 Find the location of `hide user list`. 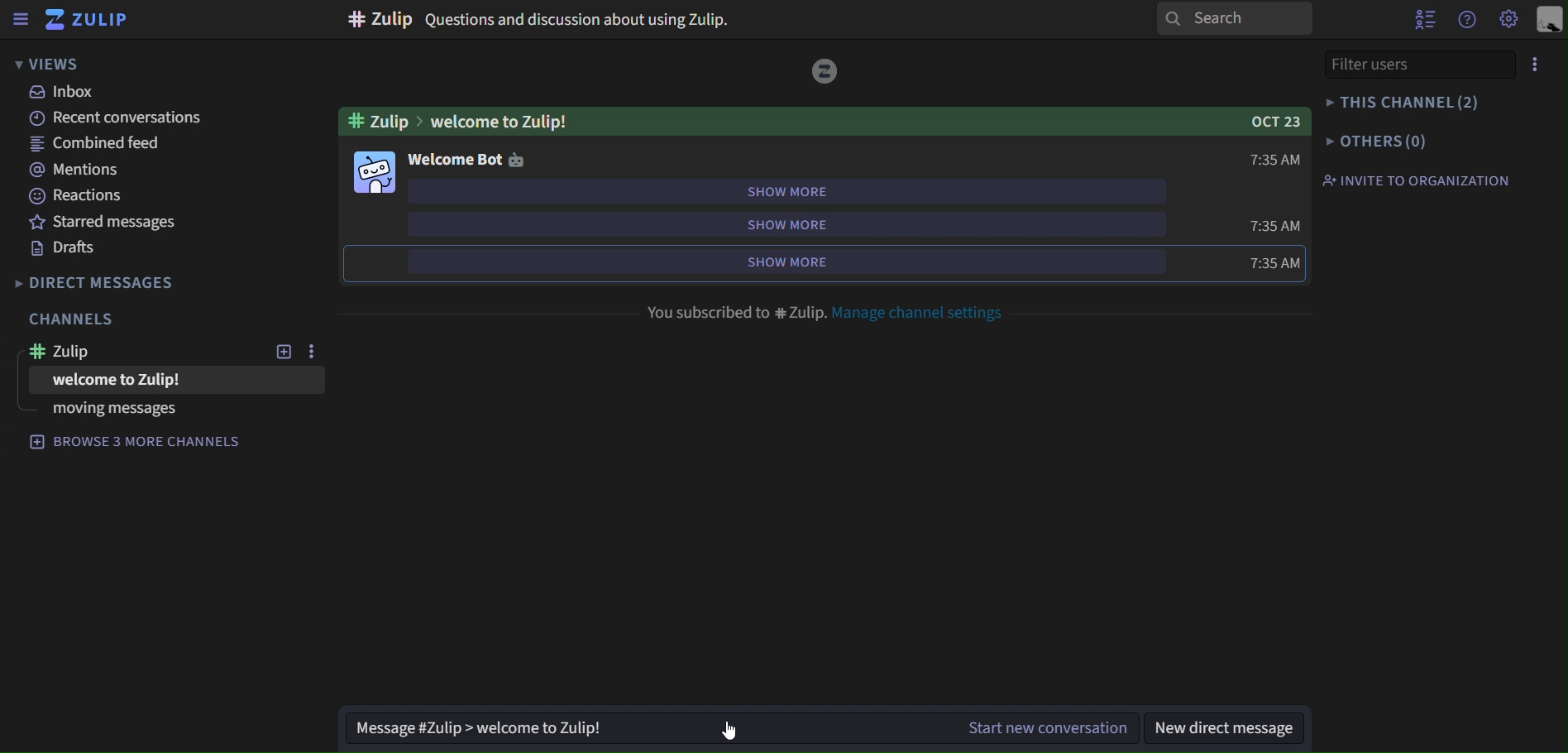

hide user list is located at coordinates (1424, 22).